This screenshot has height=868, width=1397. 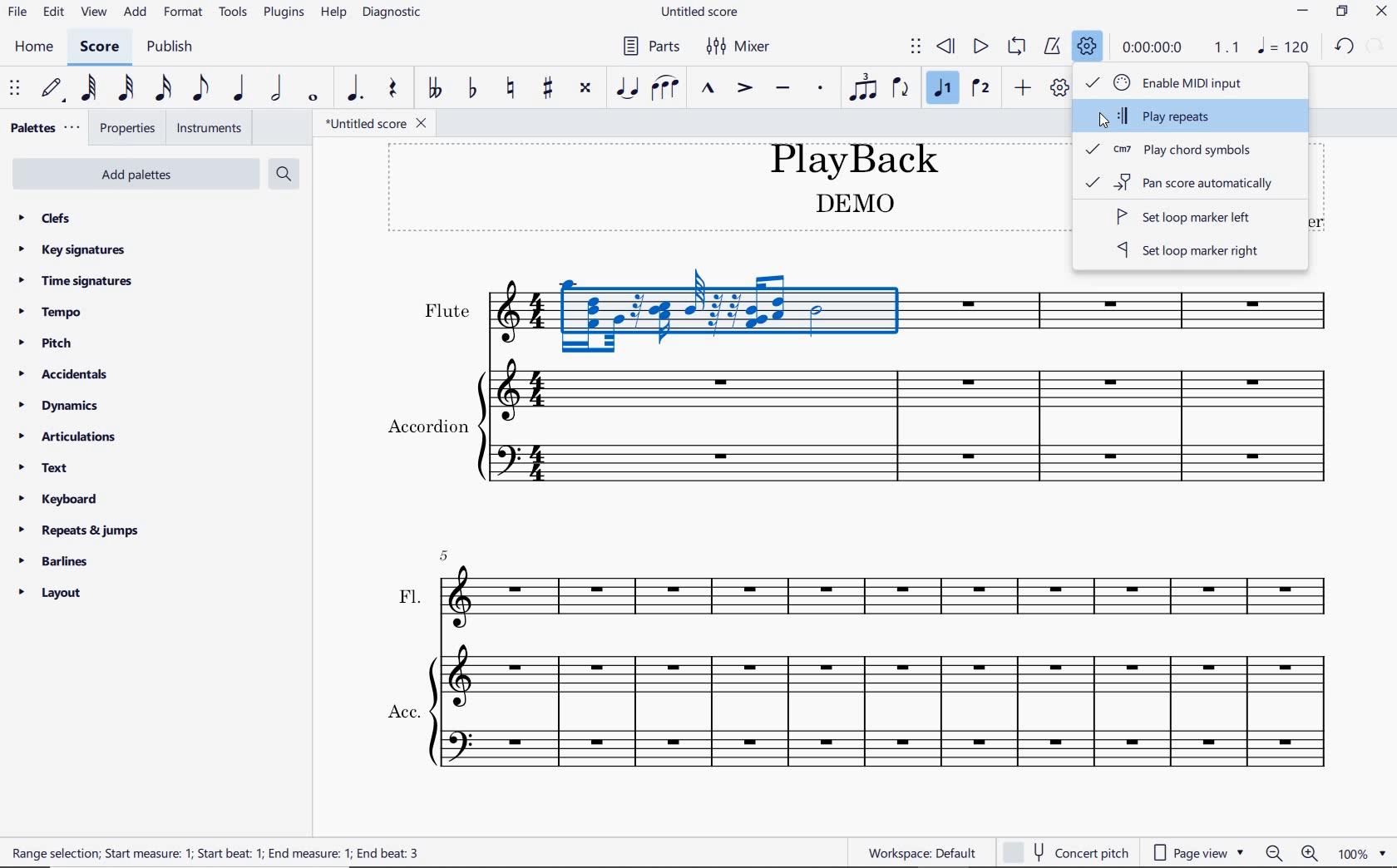 I want to click on view, so click(x=93, y=12).